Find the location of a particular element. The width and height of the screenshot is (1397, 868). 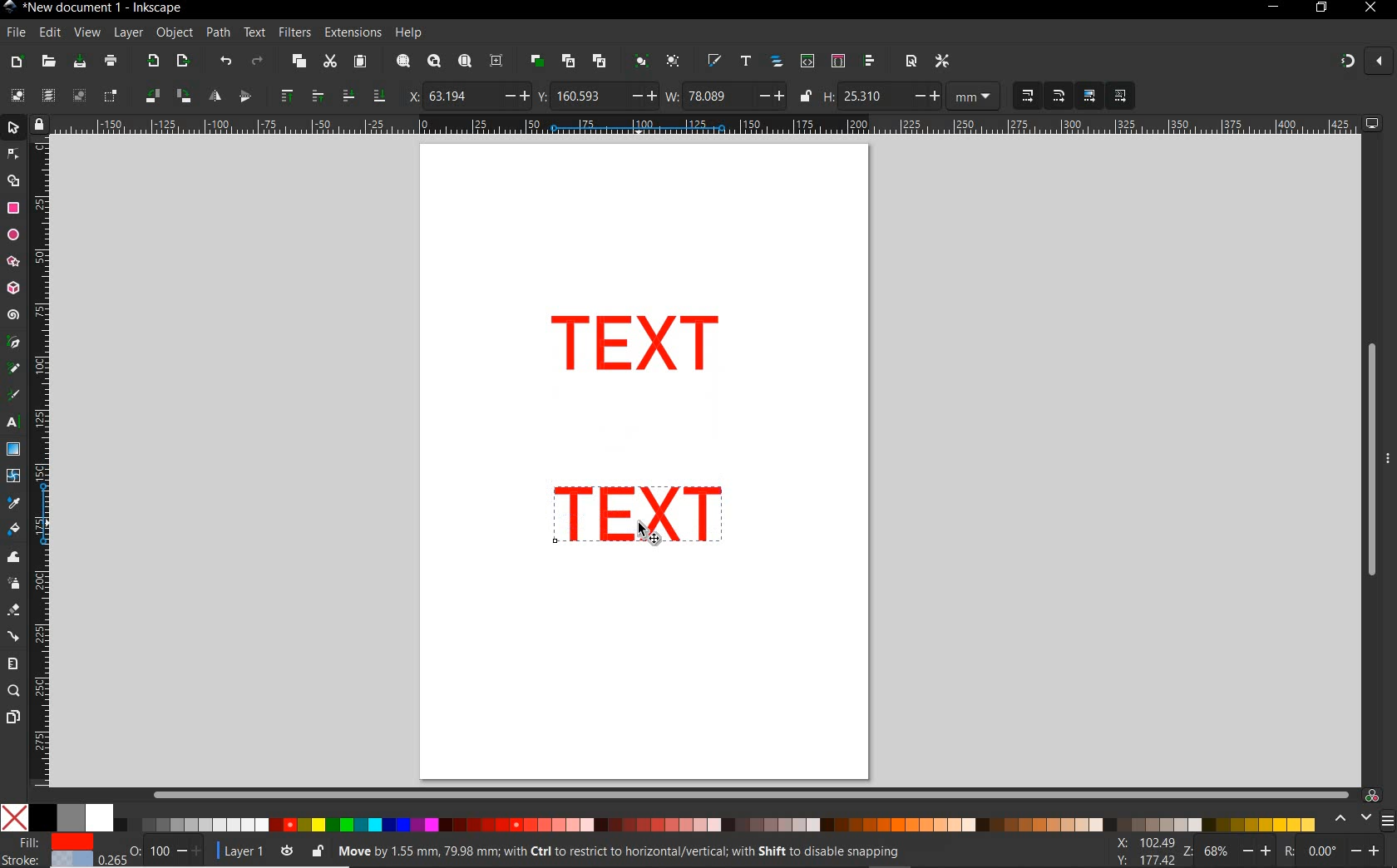

cursor is located at coordinates (648, 536).